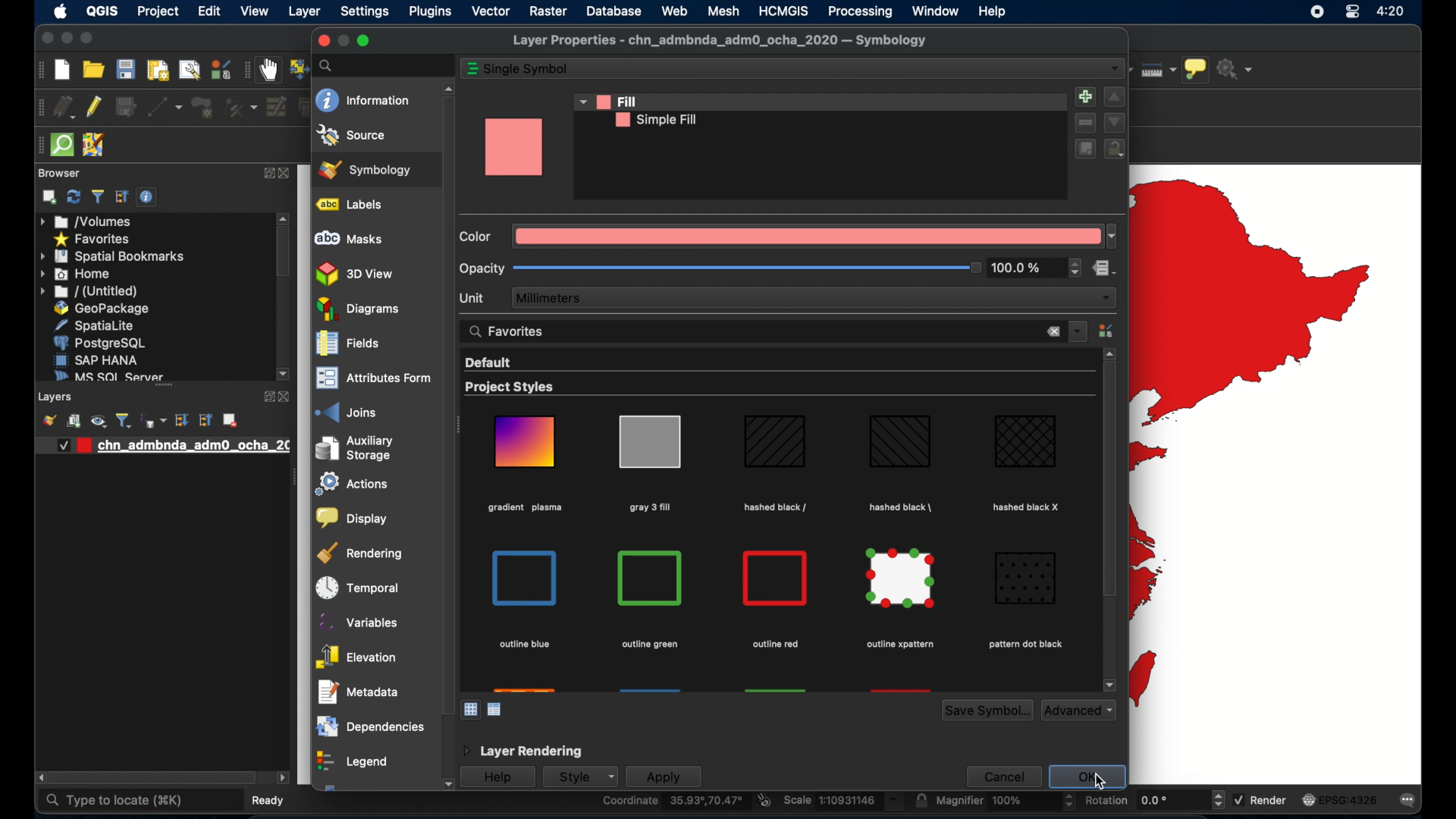 The height and width of the screenshot is (819, 1456). Describe the element at coordinates (204, 108) in the screenshot. I see `add polygon feature` at that location.